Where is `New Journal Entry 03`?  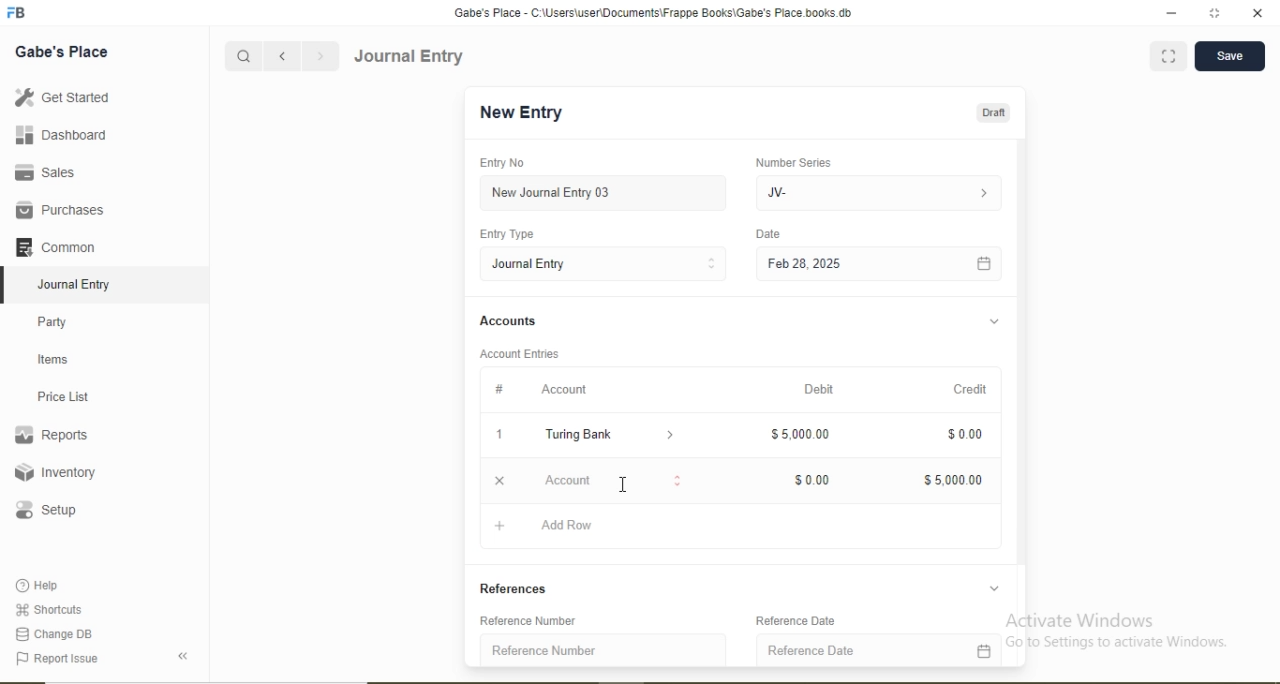
New Journal Entry 03 is located at coordinates (552, 193).